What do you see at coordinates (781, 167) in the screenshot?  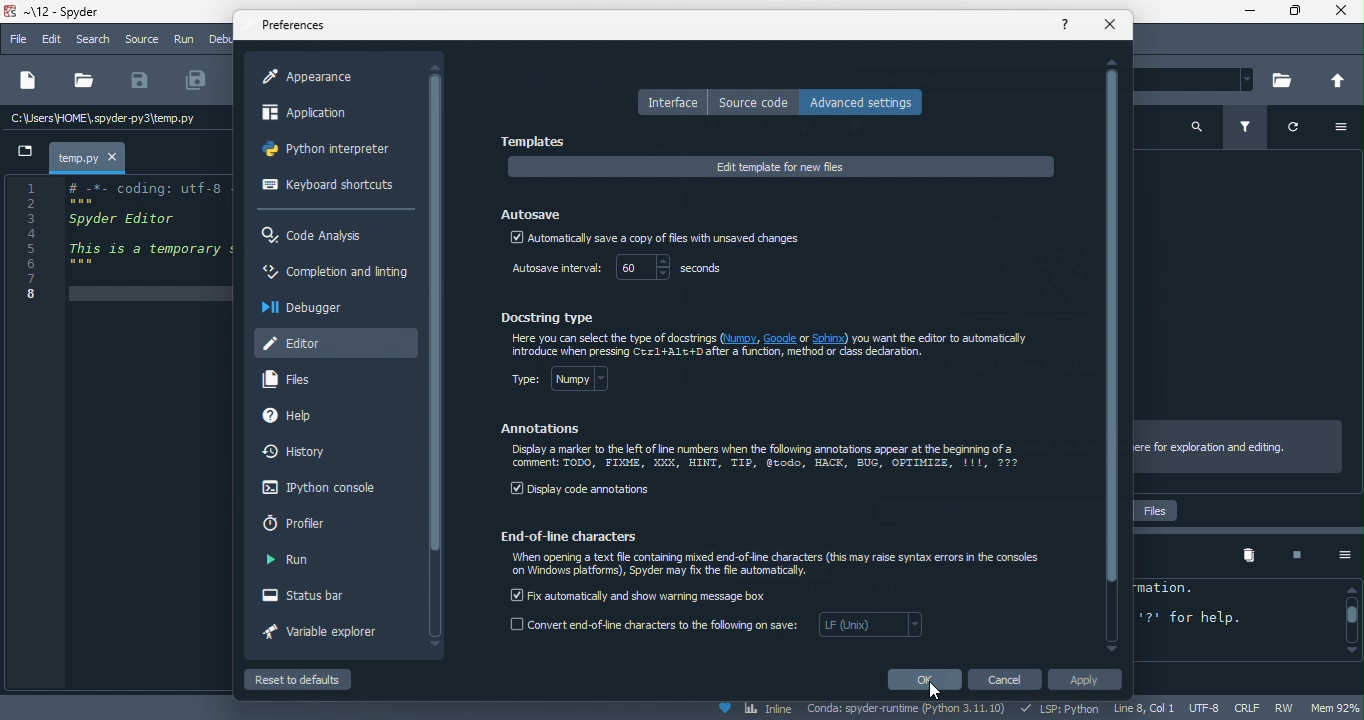 I see `edit template` at bounding box center [781, 167].